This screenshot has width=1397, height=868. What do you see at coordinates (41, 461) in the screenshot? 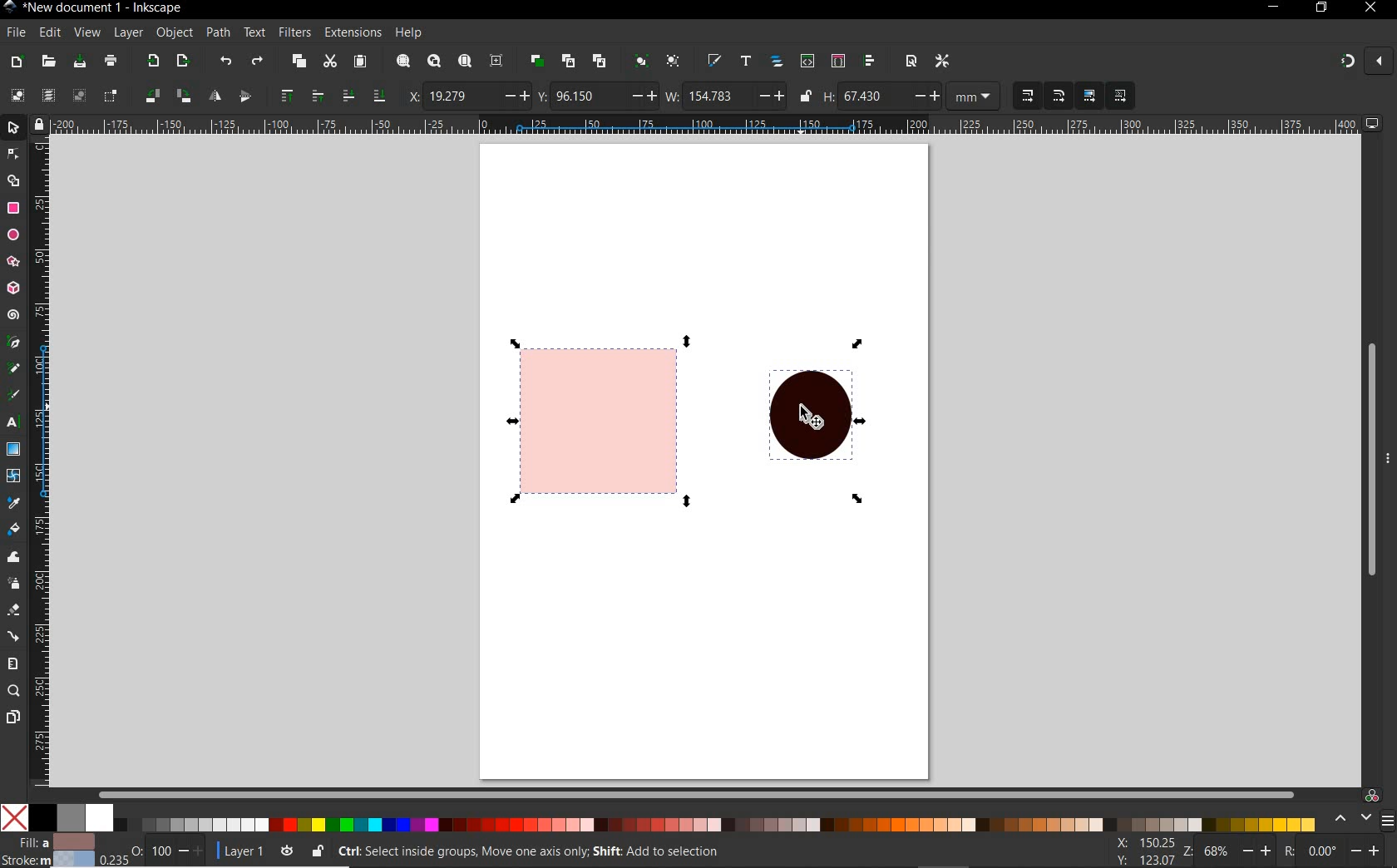
I see `ruler` at bounding box center [41, 461].